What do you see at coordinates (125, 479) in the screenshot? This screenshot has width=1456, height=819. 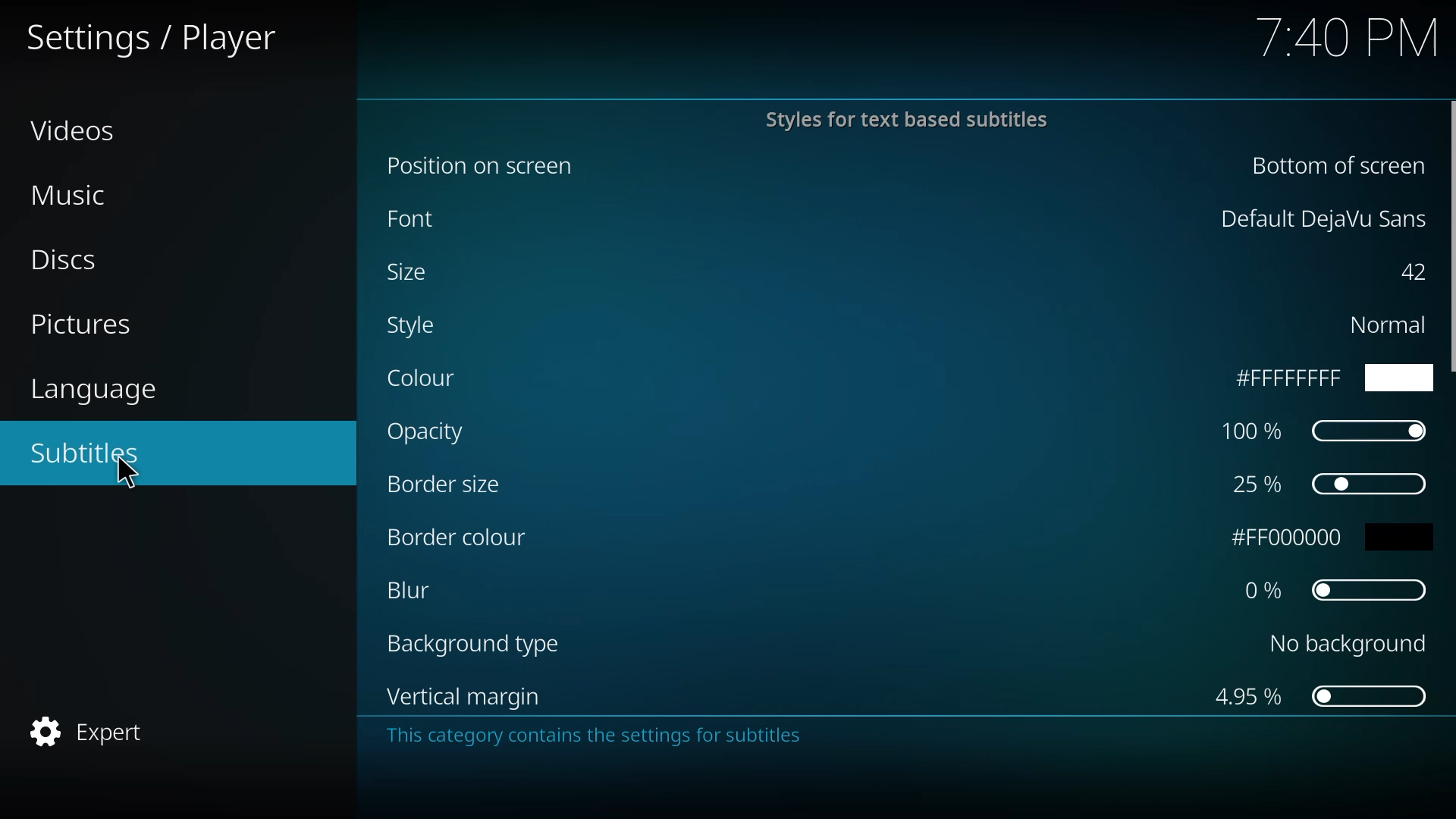 I see `cursor` at bounding box center [125, 479].